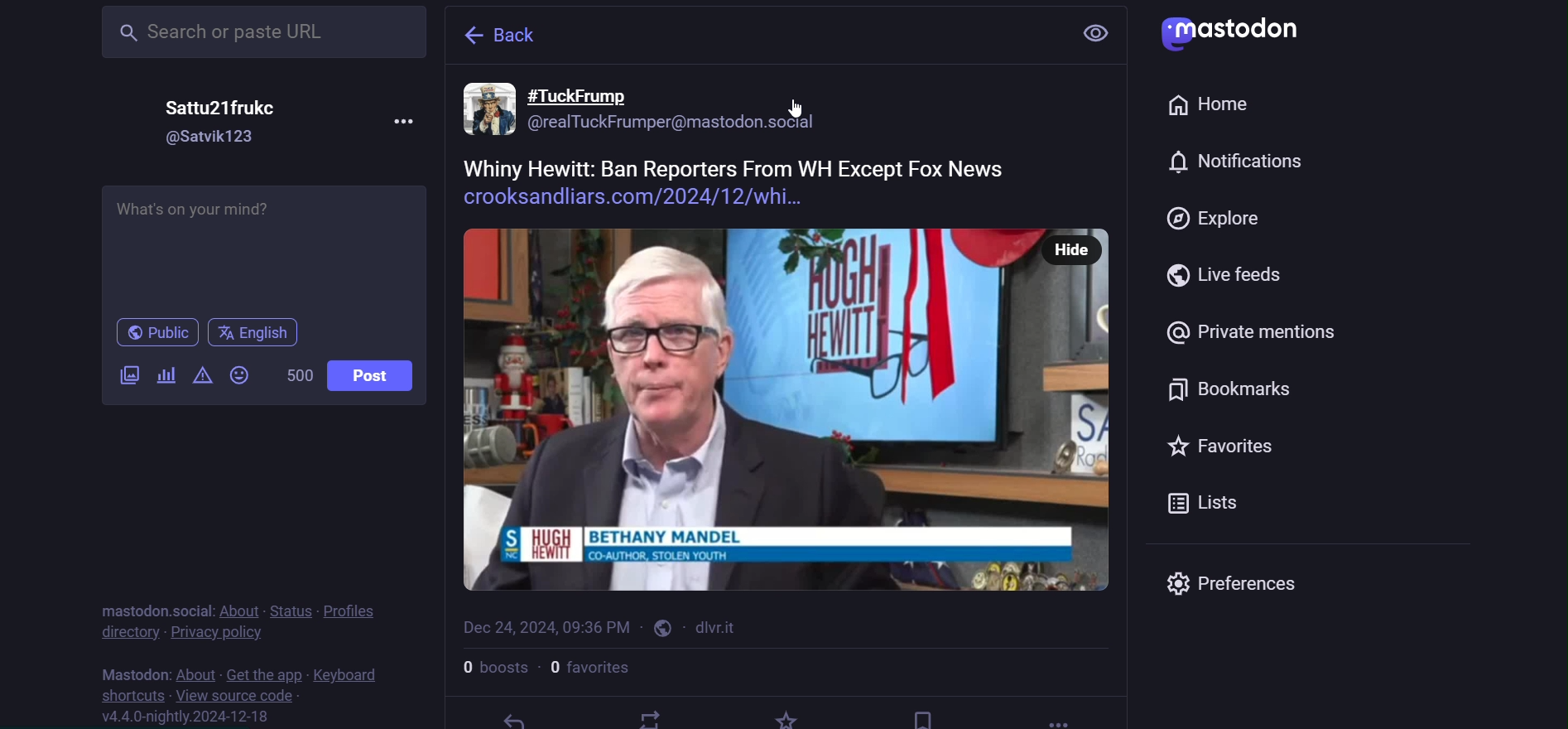  I want to click on about, so click(195, 673).